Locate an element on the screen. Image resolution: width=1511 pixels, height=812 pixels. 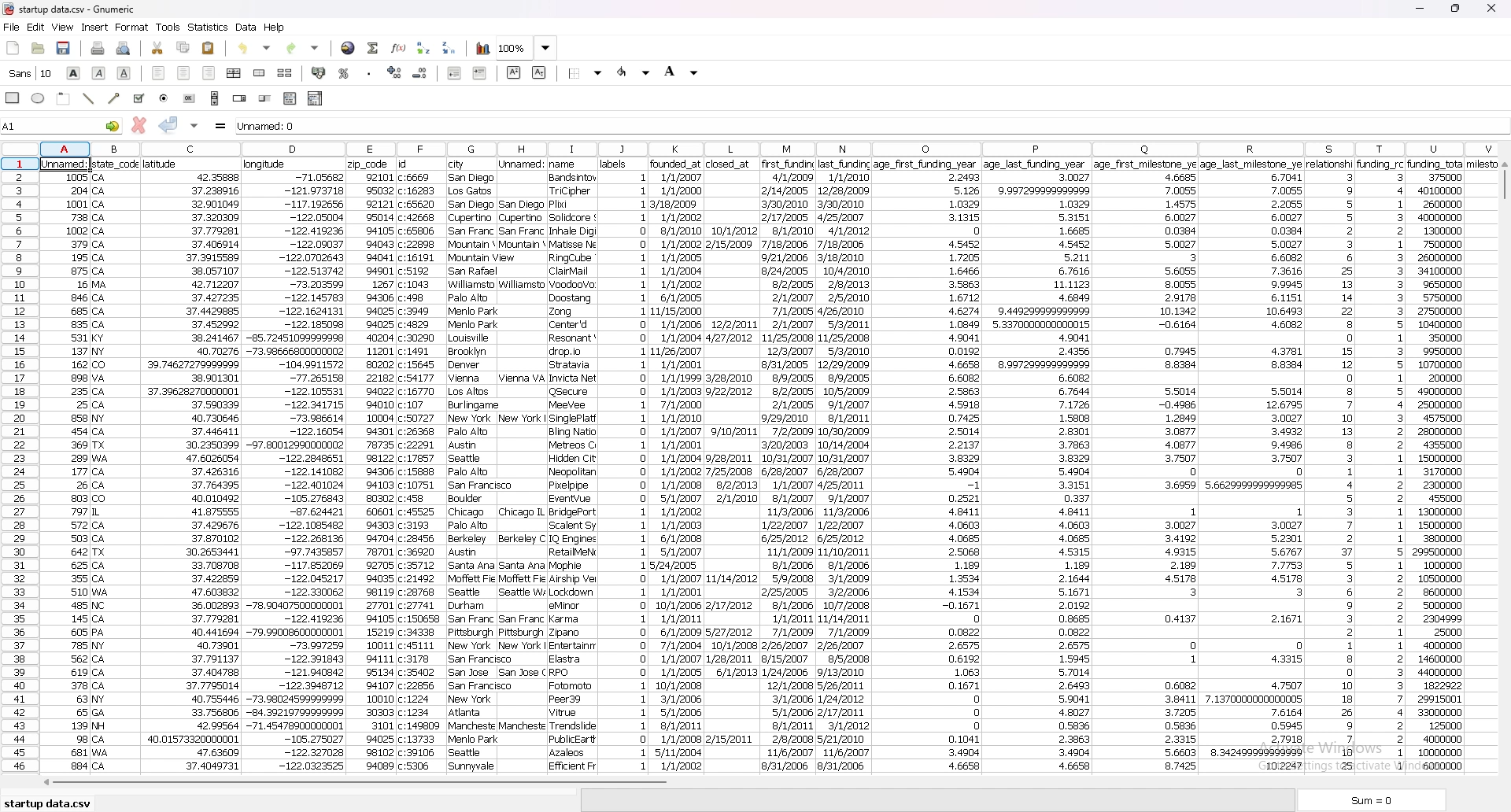
background is located at coordinates (680, 73).